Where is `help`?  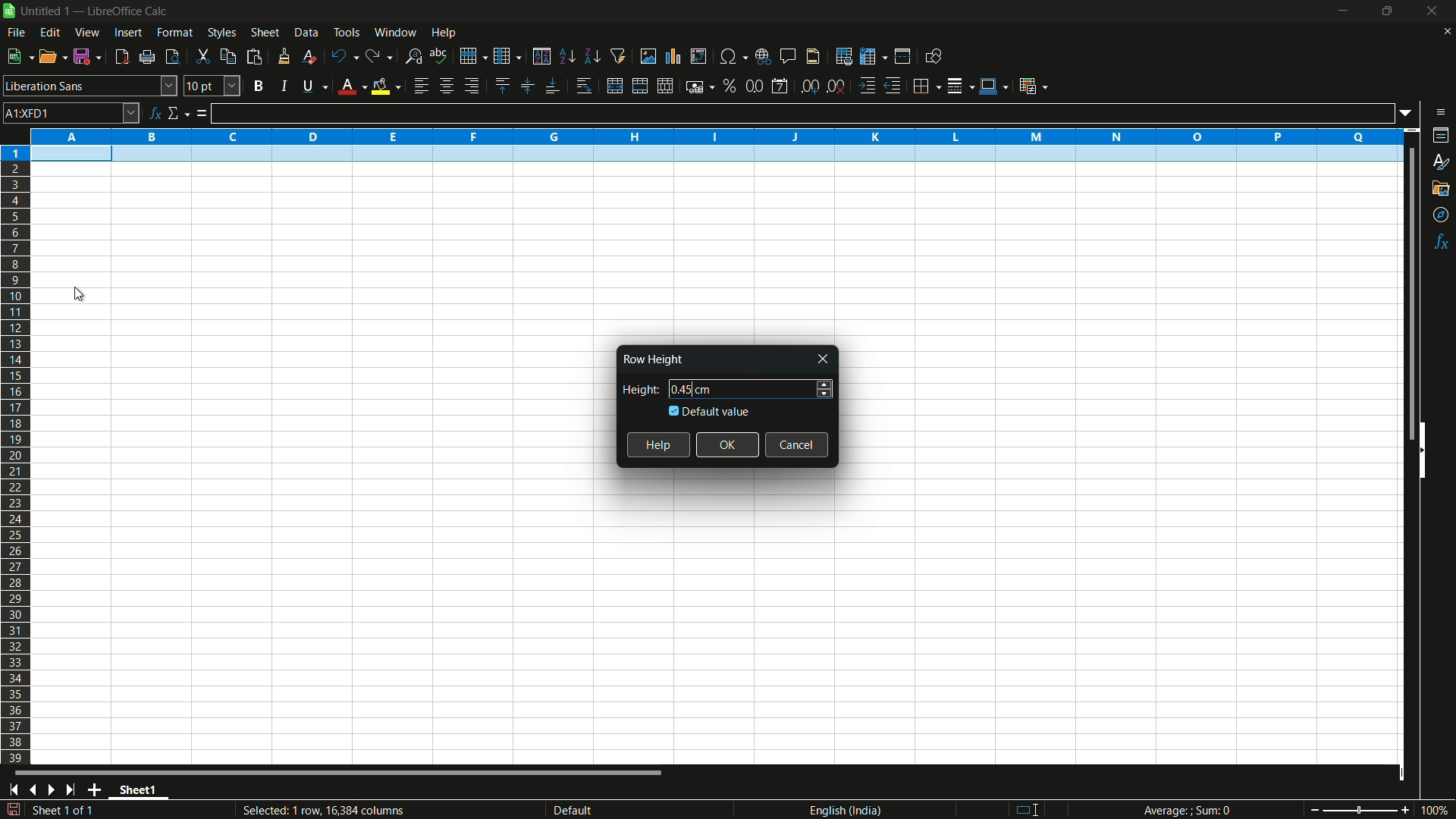
help is located at coordinates (658, 445).